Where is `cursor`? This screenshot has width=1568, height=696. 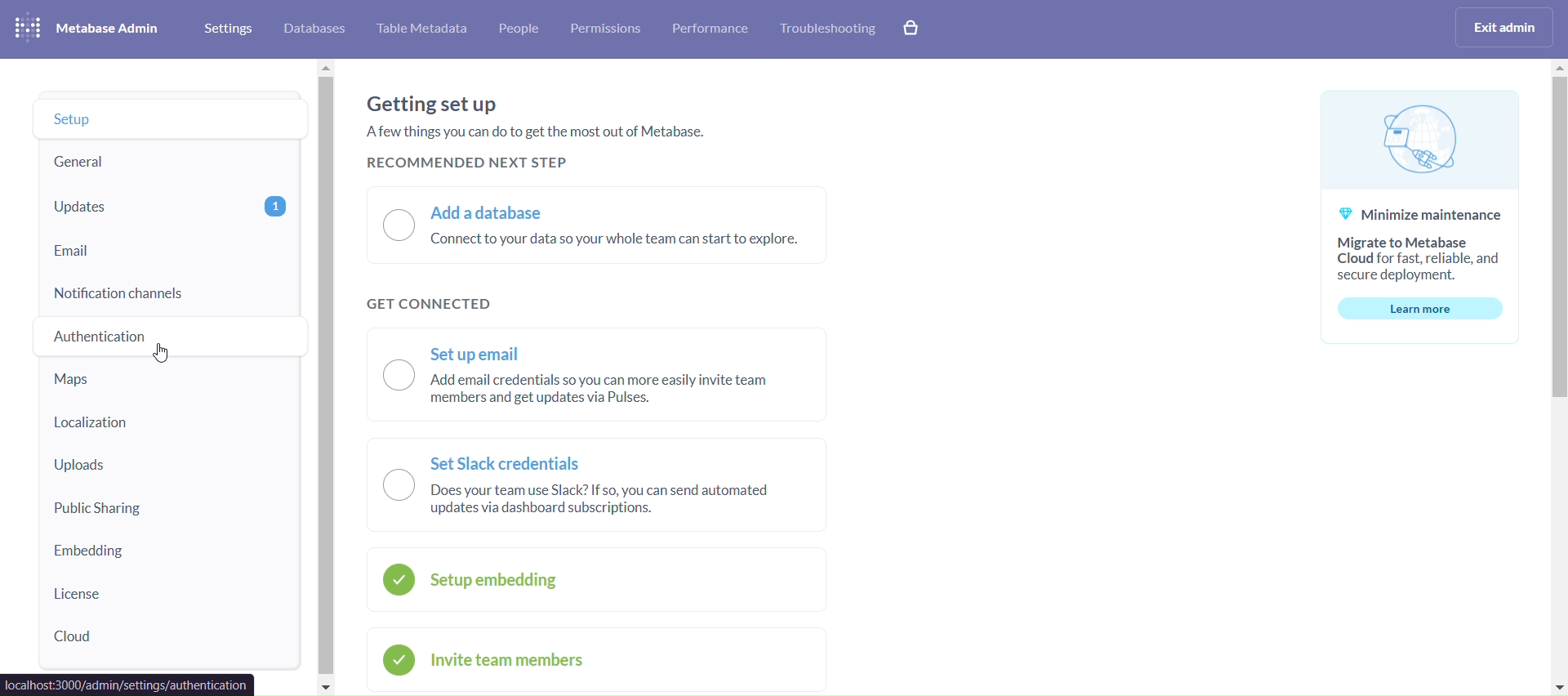 cursor is located at coordinates (160, 354).